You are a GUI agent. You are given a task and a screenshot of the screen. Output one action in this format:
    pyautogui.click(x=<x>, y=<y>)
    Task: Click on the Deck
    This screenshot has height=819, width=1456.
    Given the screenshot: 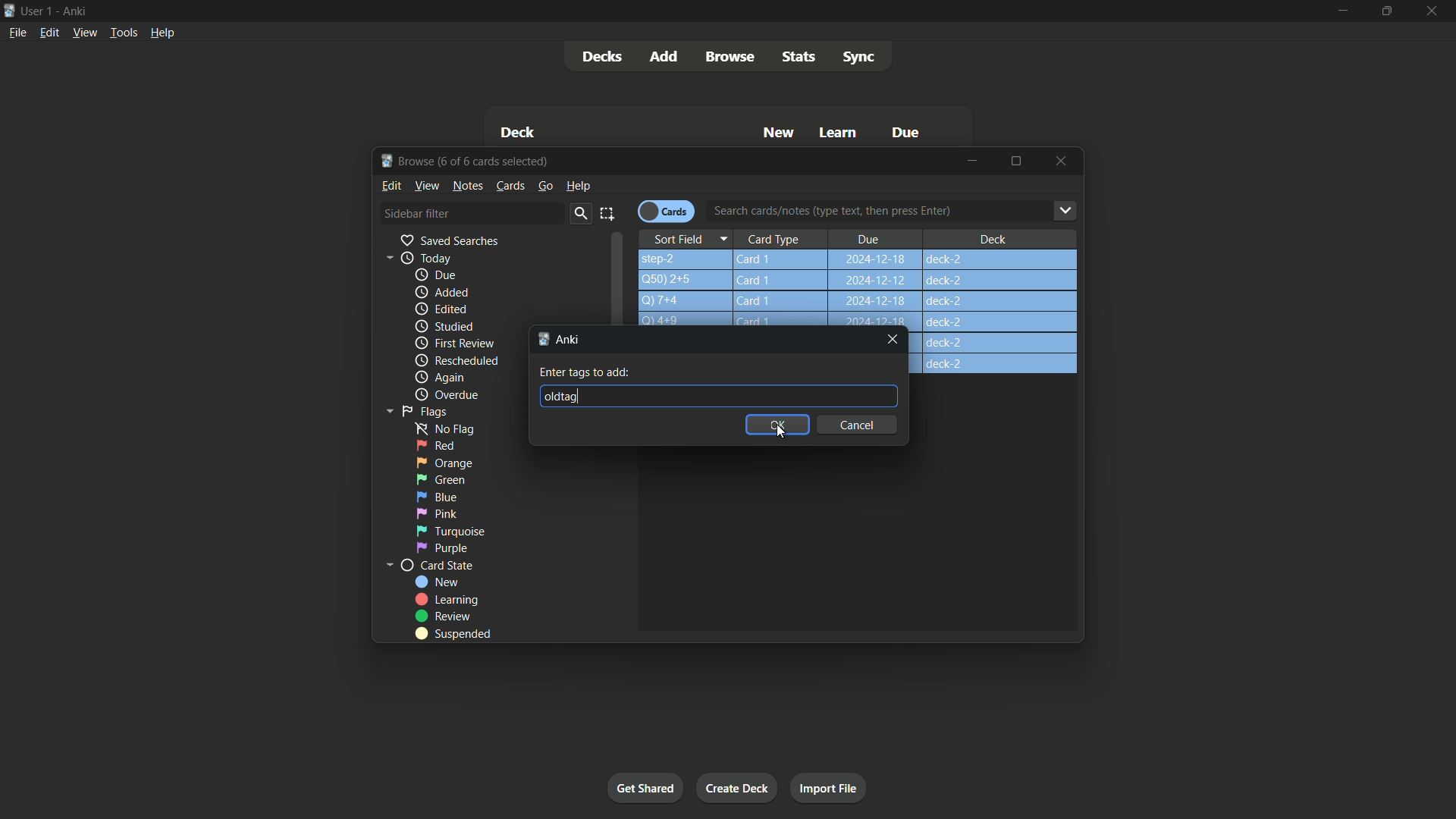 What is the action you would take?
    pyautogui.click(x=519, y=132)
    